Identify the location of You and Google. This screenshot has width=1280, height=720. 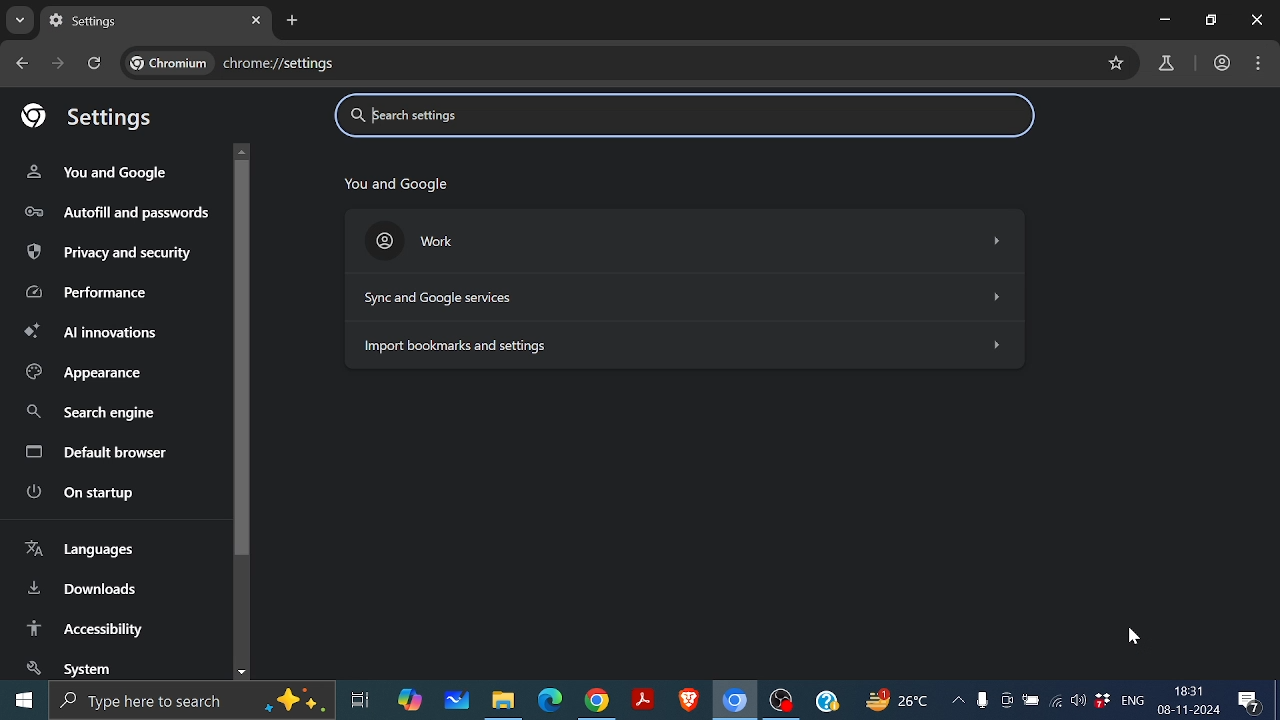
(96, 176).